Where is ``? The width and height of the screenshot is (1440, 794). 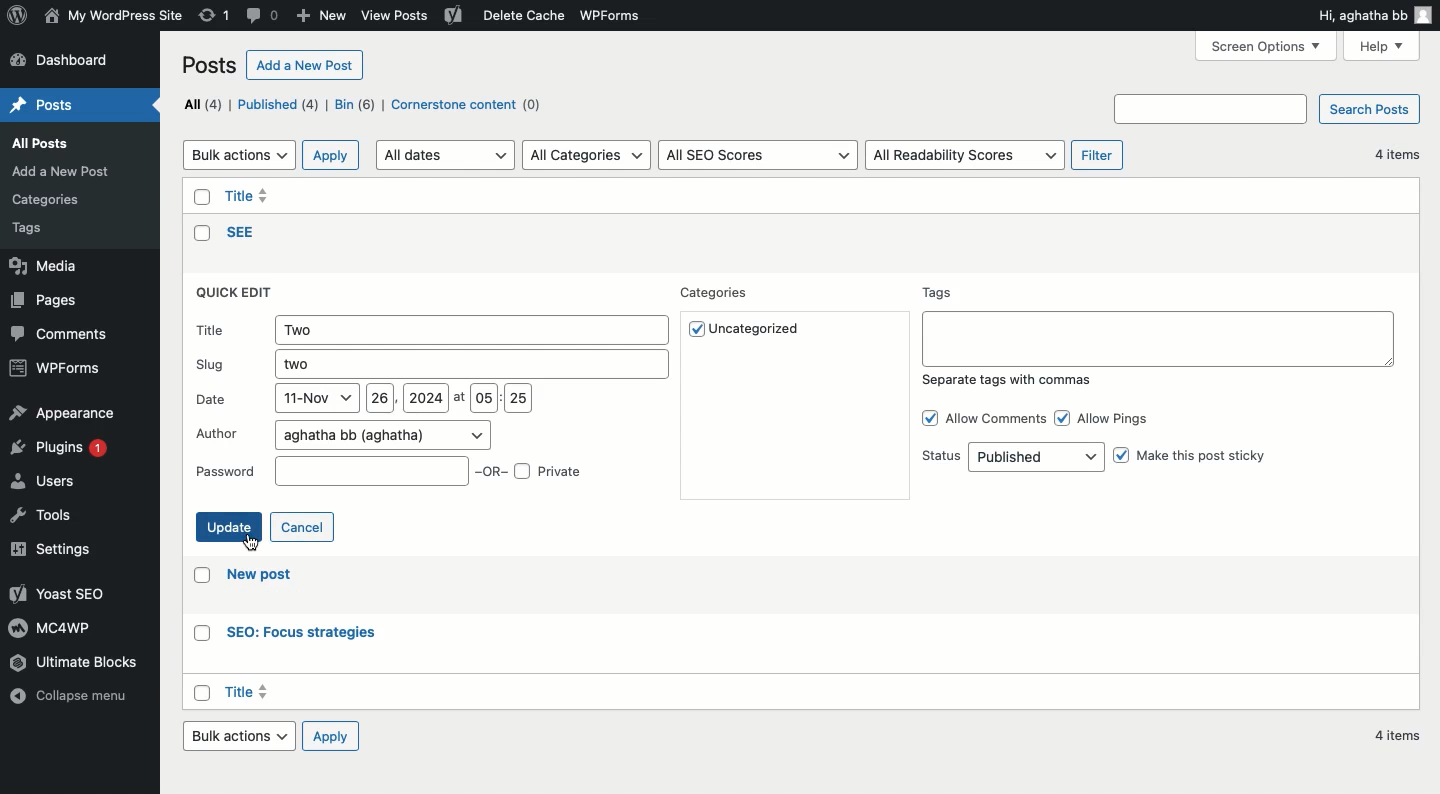
 is located at coordinates (244, 234).